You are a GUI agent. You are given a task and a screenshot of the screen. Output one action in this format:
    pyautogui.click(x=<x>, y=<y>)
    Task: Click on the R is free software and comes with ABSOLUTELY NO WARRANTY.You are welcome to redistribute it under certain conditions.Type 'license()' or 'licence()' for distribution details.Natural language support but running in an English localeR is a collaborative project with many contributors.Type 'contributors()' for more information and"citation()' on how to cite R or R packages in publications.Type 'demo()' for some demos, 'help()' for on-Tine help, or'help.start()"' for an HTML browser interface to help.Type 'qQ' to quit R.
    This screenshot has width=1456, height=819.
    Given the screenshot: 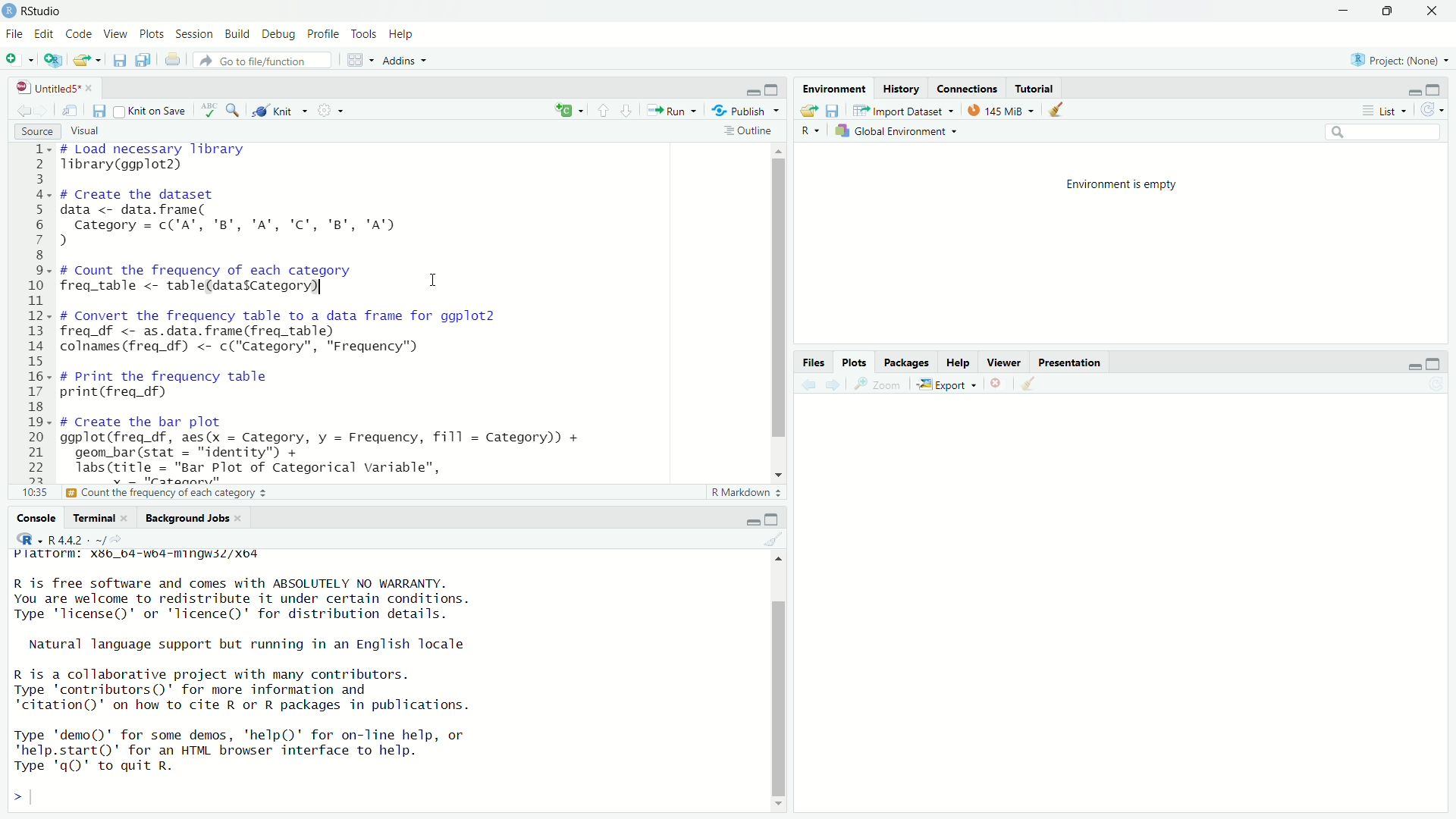 What is the action you would take?
    pyautogui.click(x=266, y=677)
    